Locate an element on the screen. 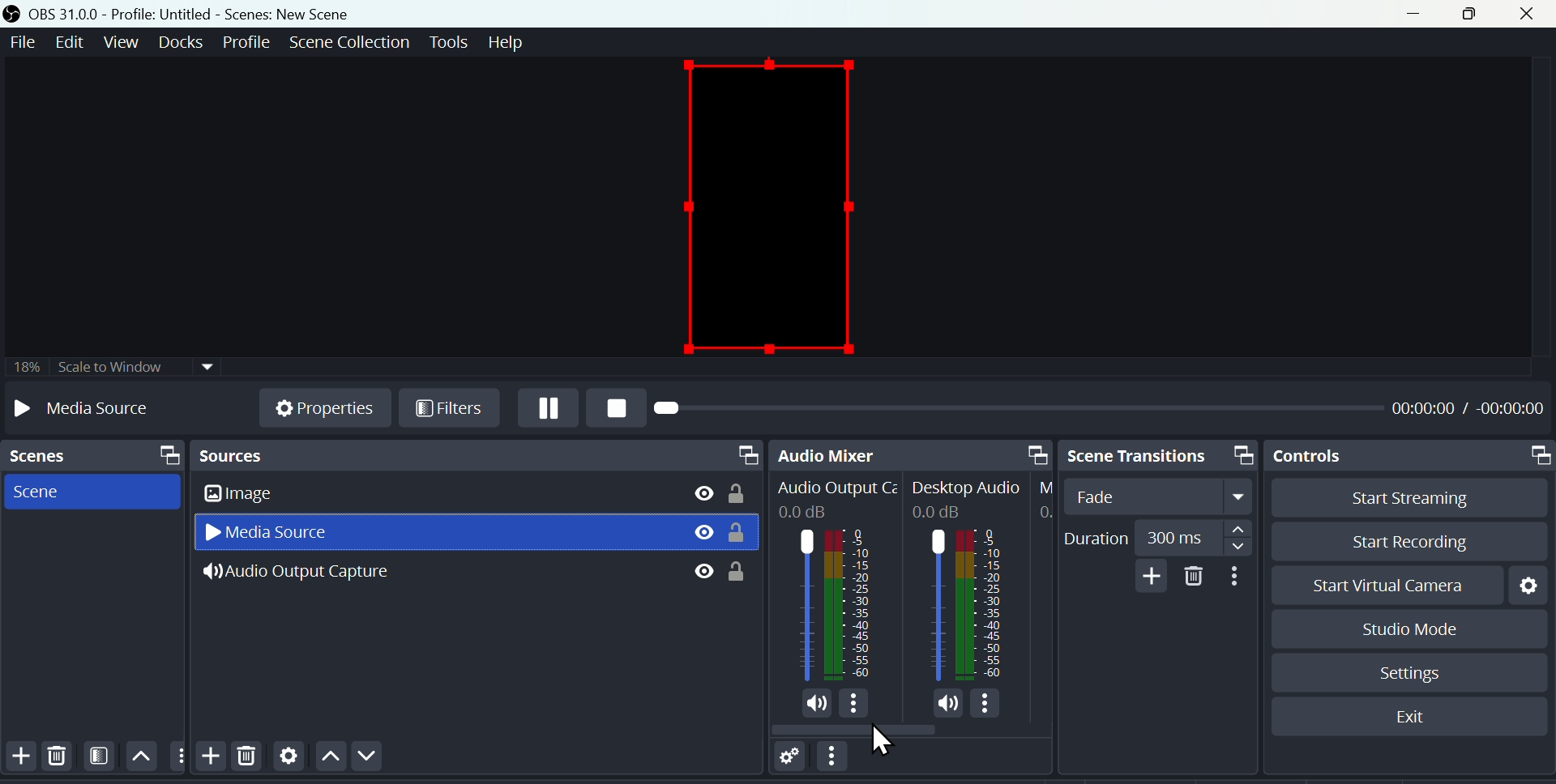 The image size is (1556, 784). Settings is located at coordinates (1411, 673).